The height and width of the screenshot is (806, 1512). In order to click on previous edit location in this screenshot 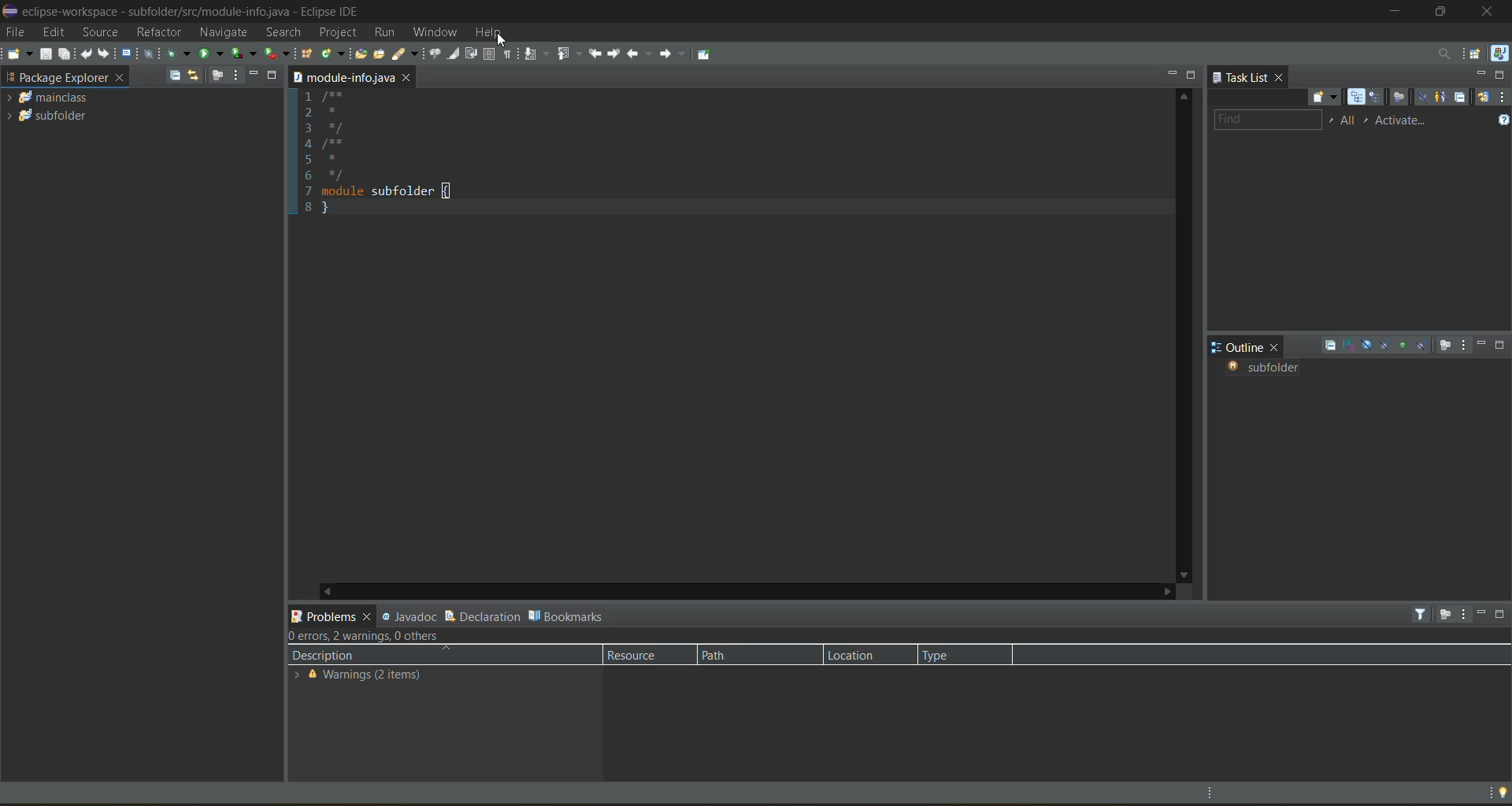, I will do `click(599, 53)`.